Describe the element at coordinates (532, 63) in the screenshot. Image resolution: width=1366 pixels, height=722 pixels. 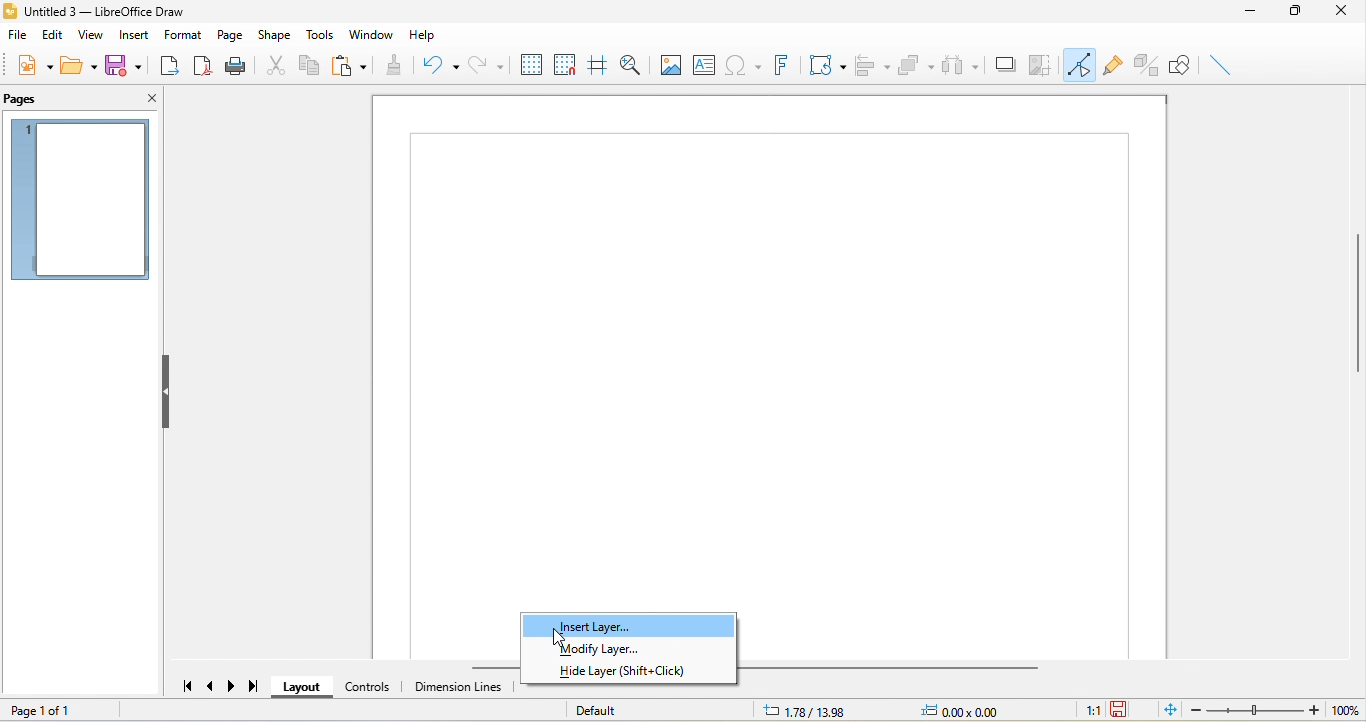
I see `display to grid` at that location.